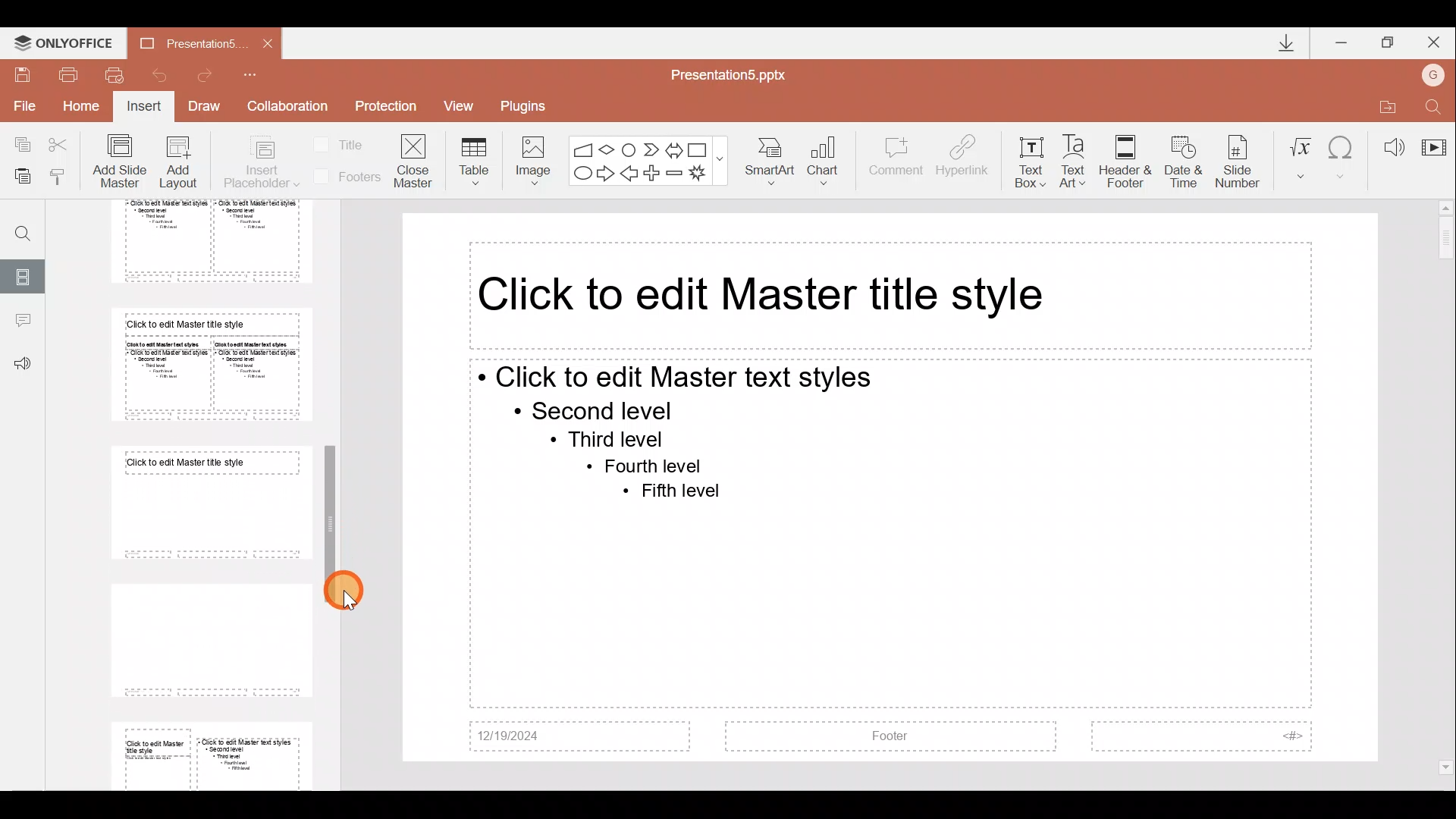 Image resolution: width=1456 pixels, height=819 pixels. Describe the element at coordinates (209, 108) in the screenshot. I see `Draw` at that location.